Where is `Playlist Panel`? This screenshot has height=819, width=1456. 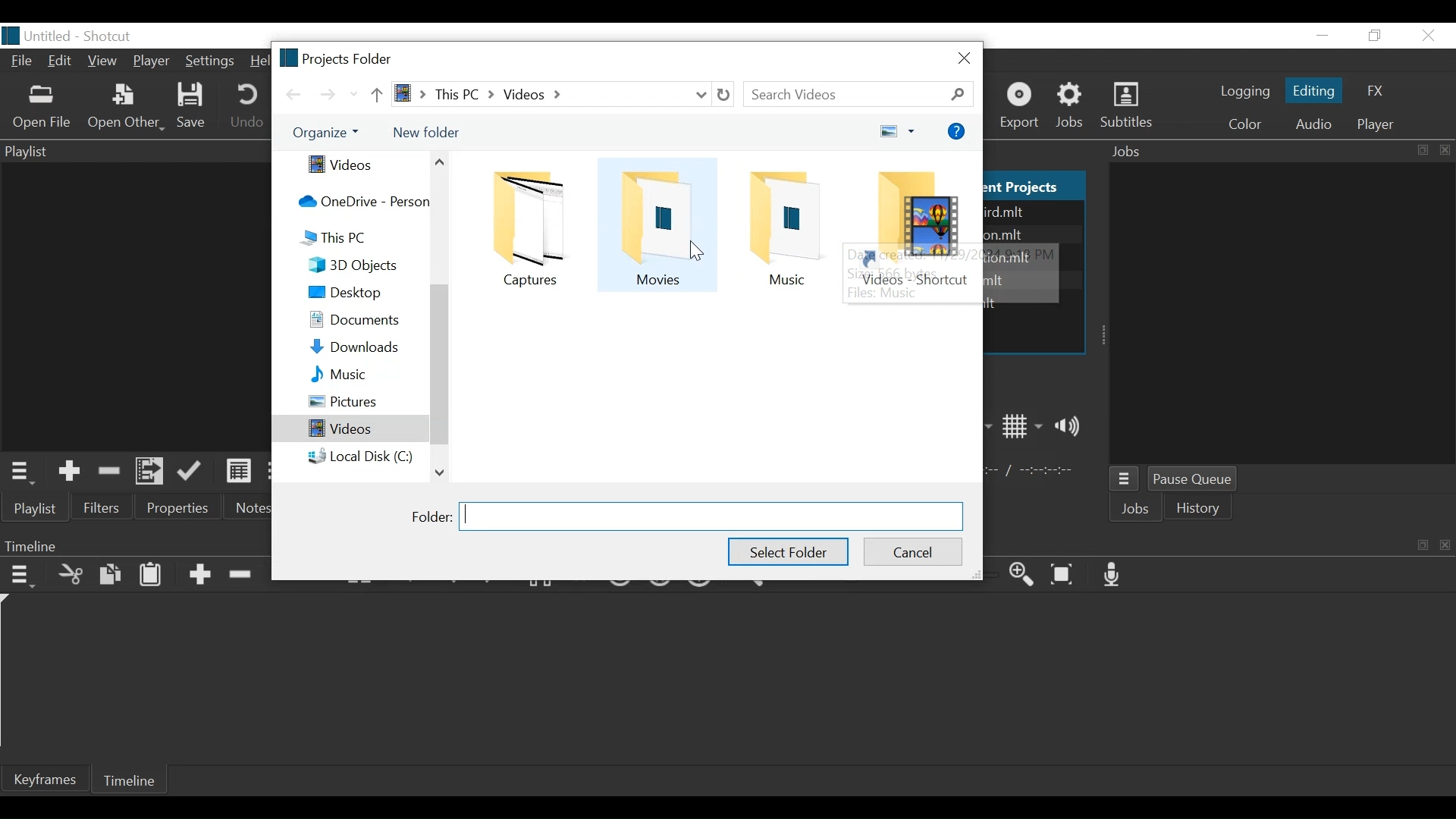 Playlist Panel is located at coordinates (134, 150).